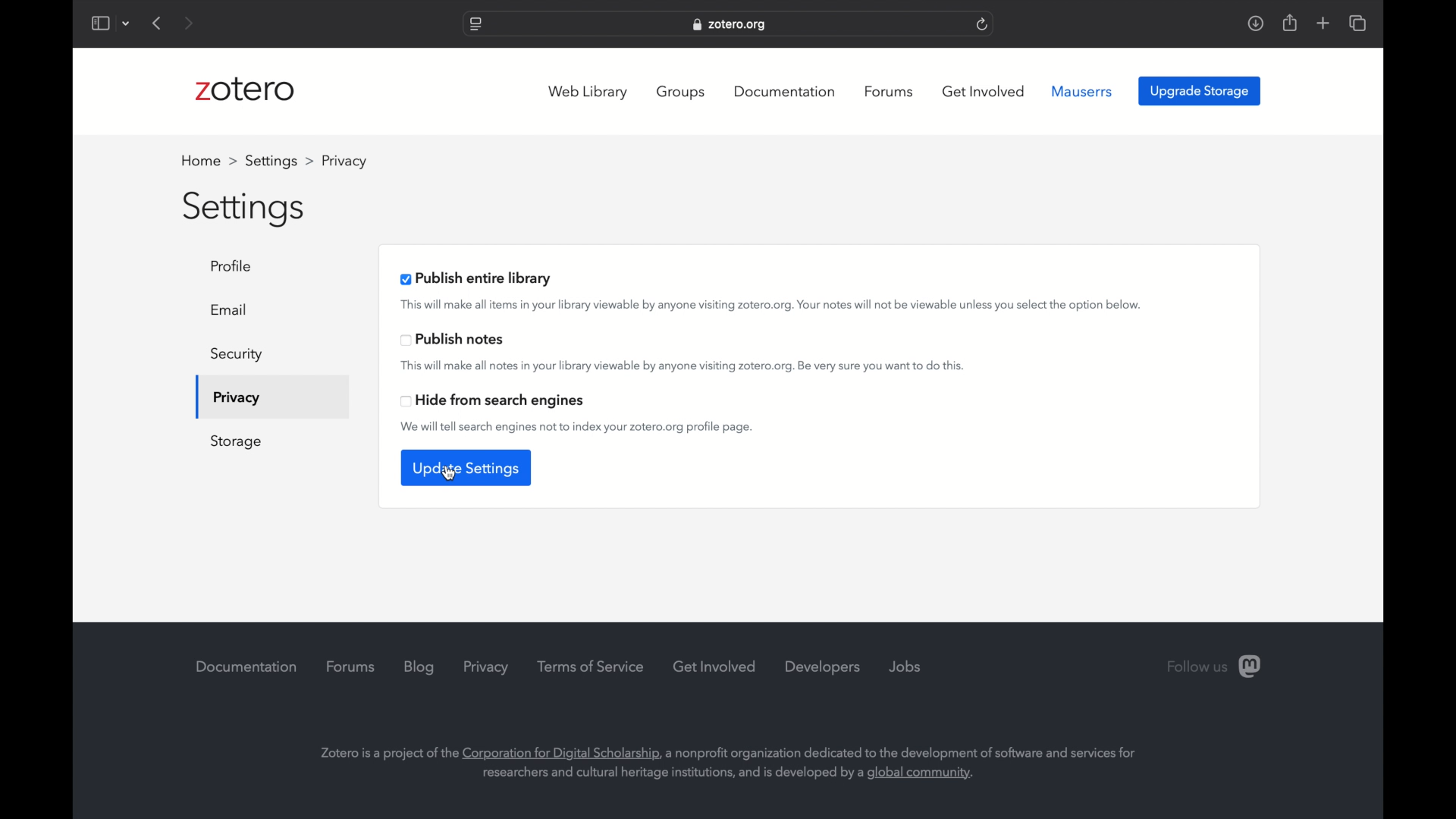 The width and height of the screenshot is (1456, 819). What do you see at coordinates (770, 306) in the screenshot?
I see `This will make all items in your library viewable` at bounding box center [770, 306].